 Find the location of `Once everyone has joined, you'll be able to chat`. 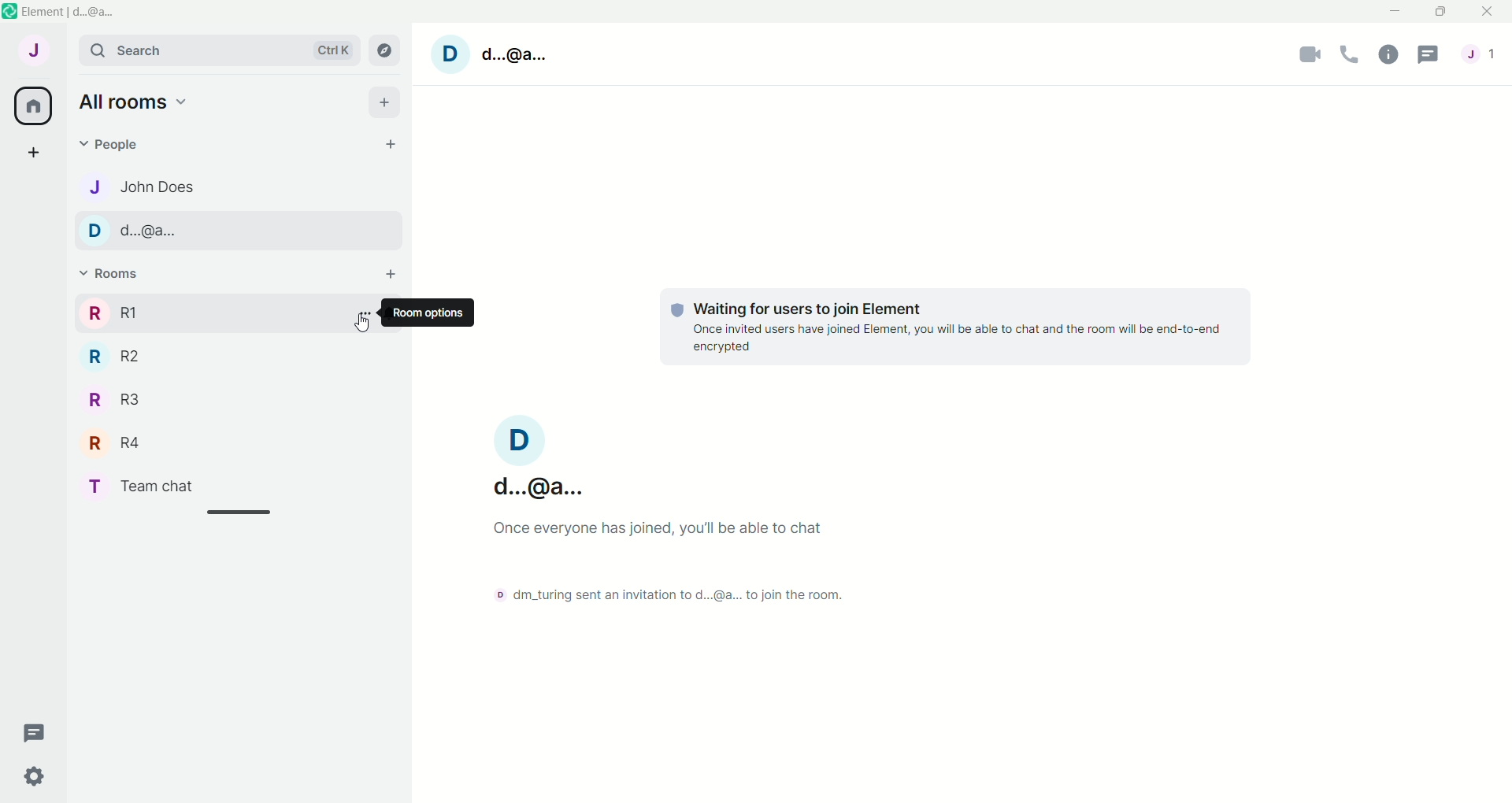

Once everyone has joined, you'll be able to chat is located at coordinates (666, 531).